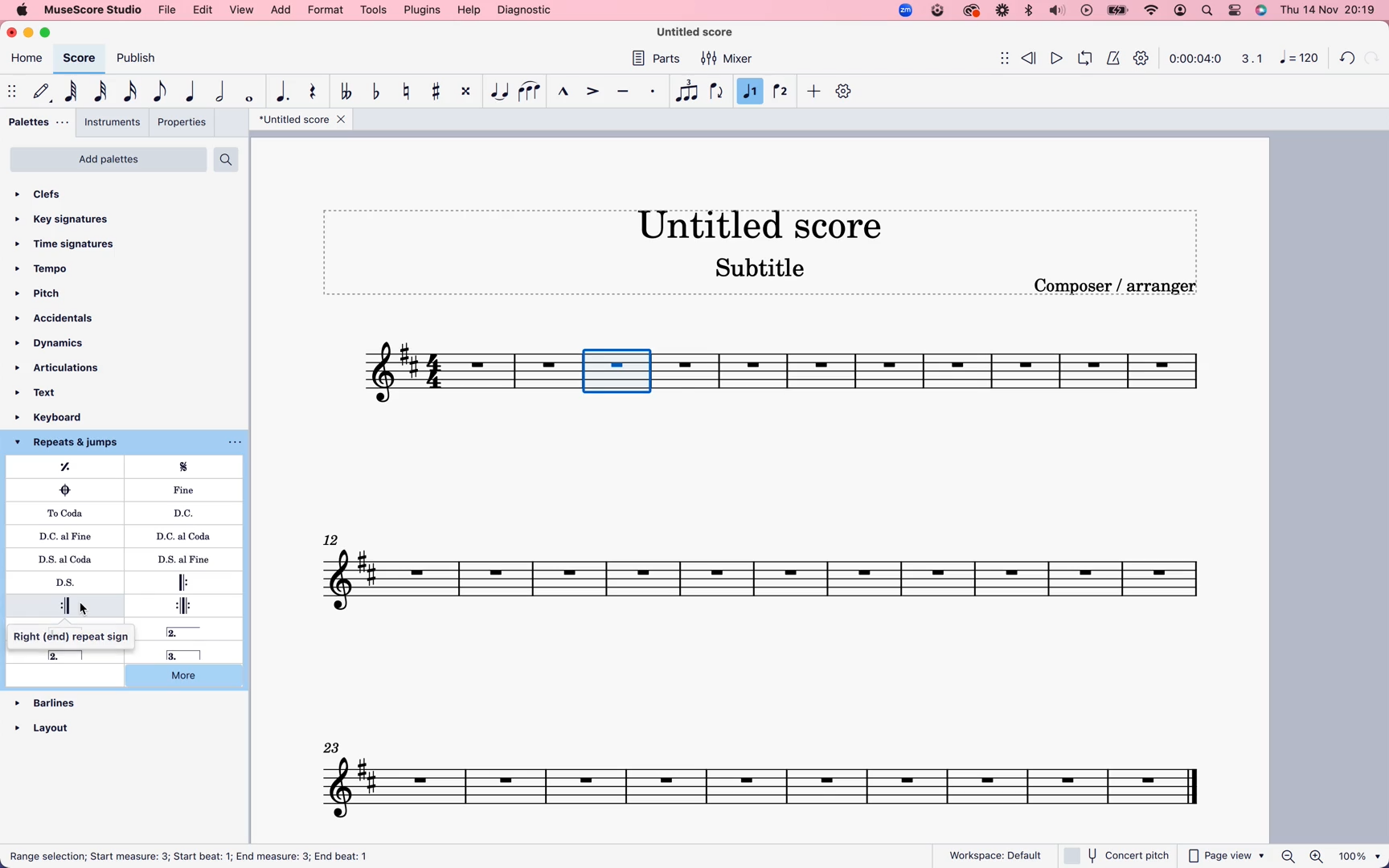 The height and width of the screenshot is (868, 1389). I want to click on 32nd note, so click(103, 91).